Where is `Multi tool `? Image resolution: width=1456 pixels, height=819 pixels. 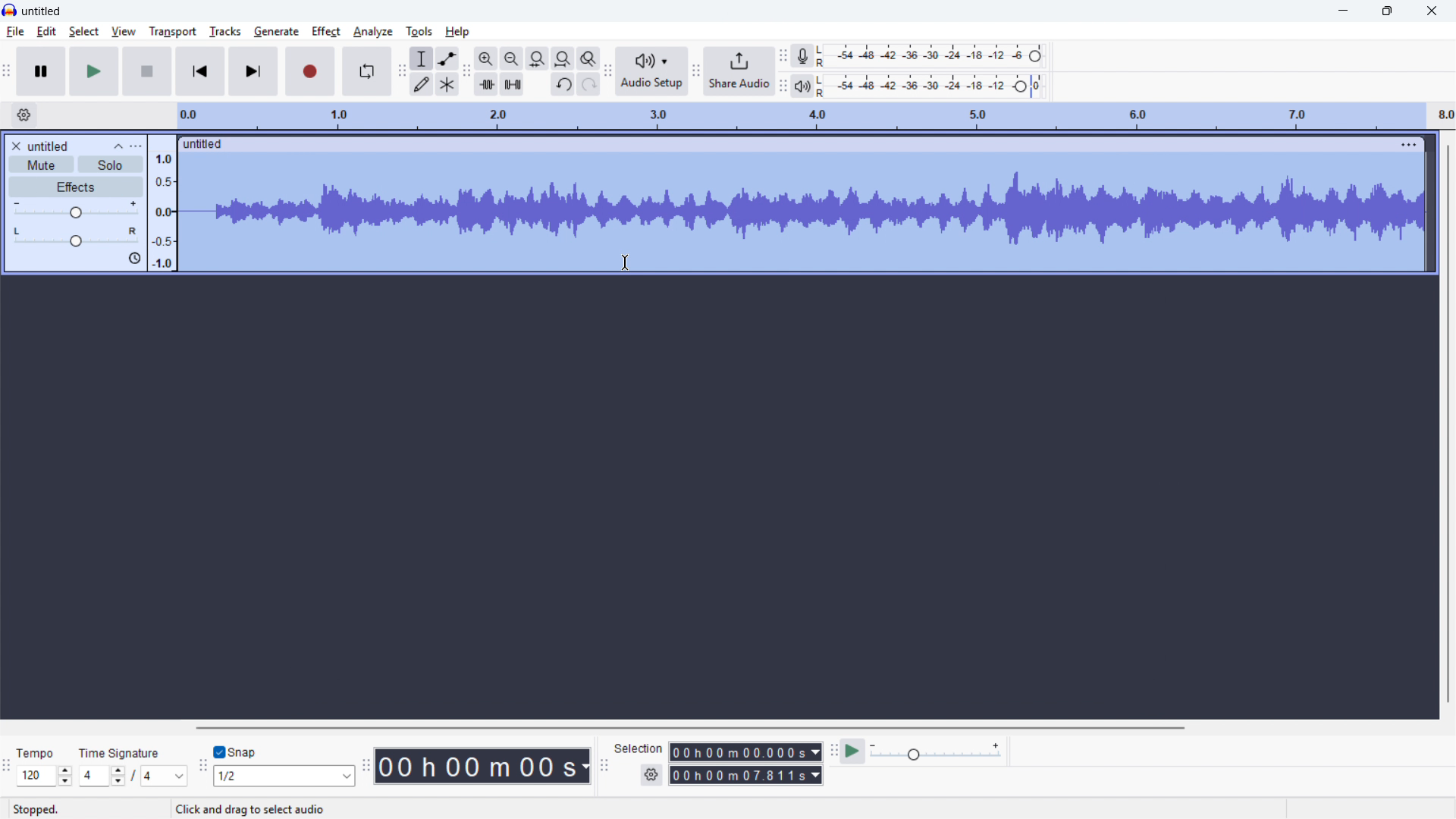 Multi tool  is located at coordinates (447, 85).